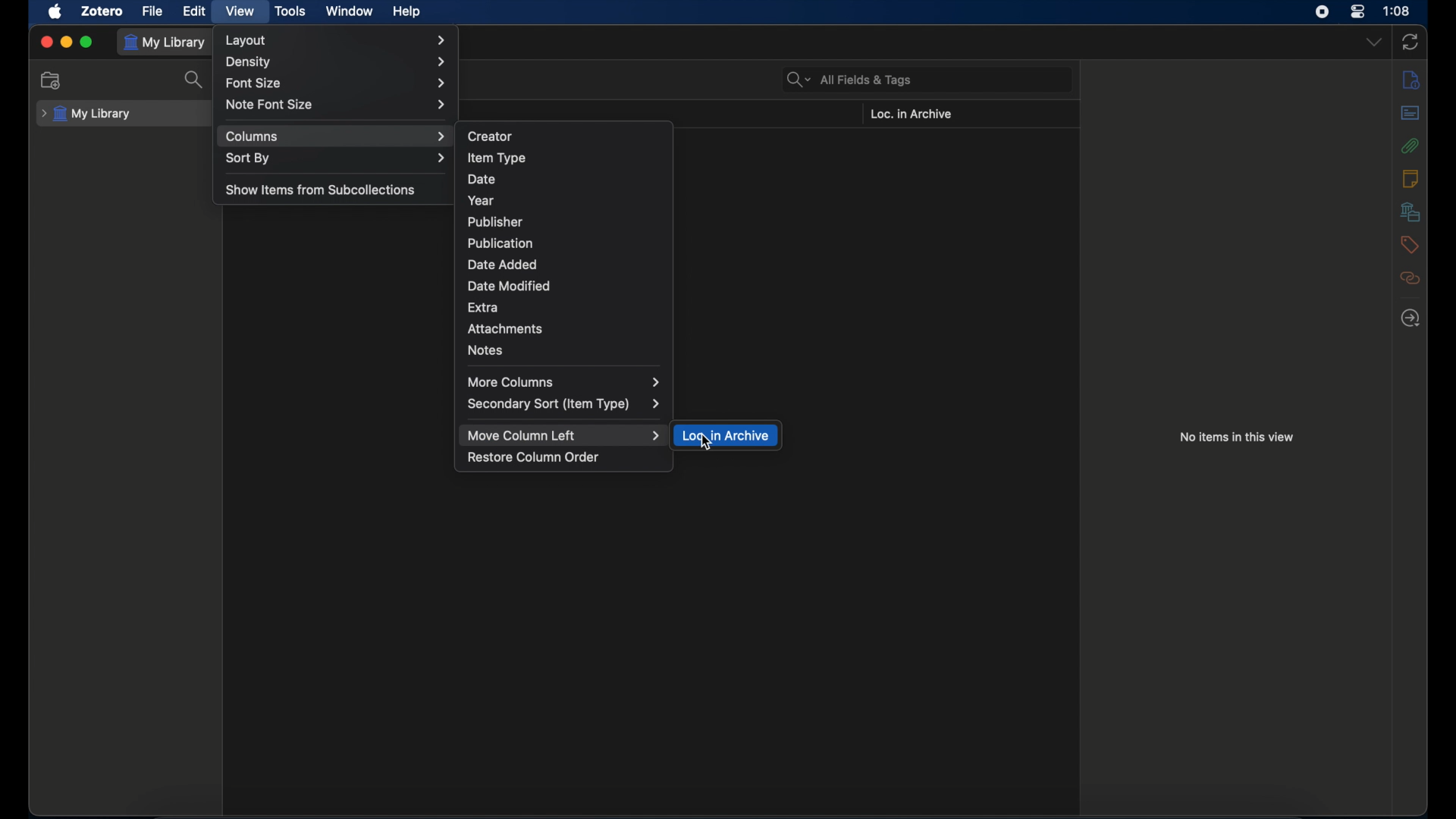 The height and width of the screenshot is (819, 1456). I want to click on more columns, so click(565, 382).